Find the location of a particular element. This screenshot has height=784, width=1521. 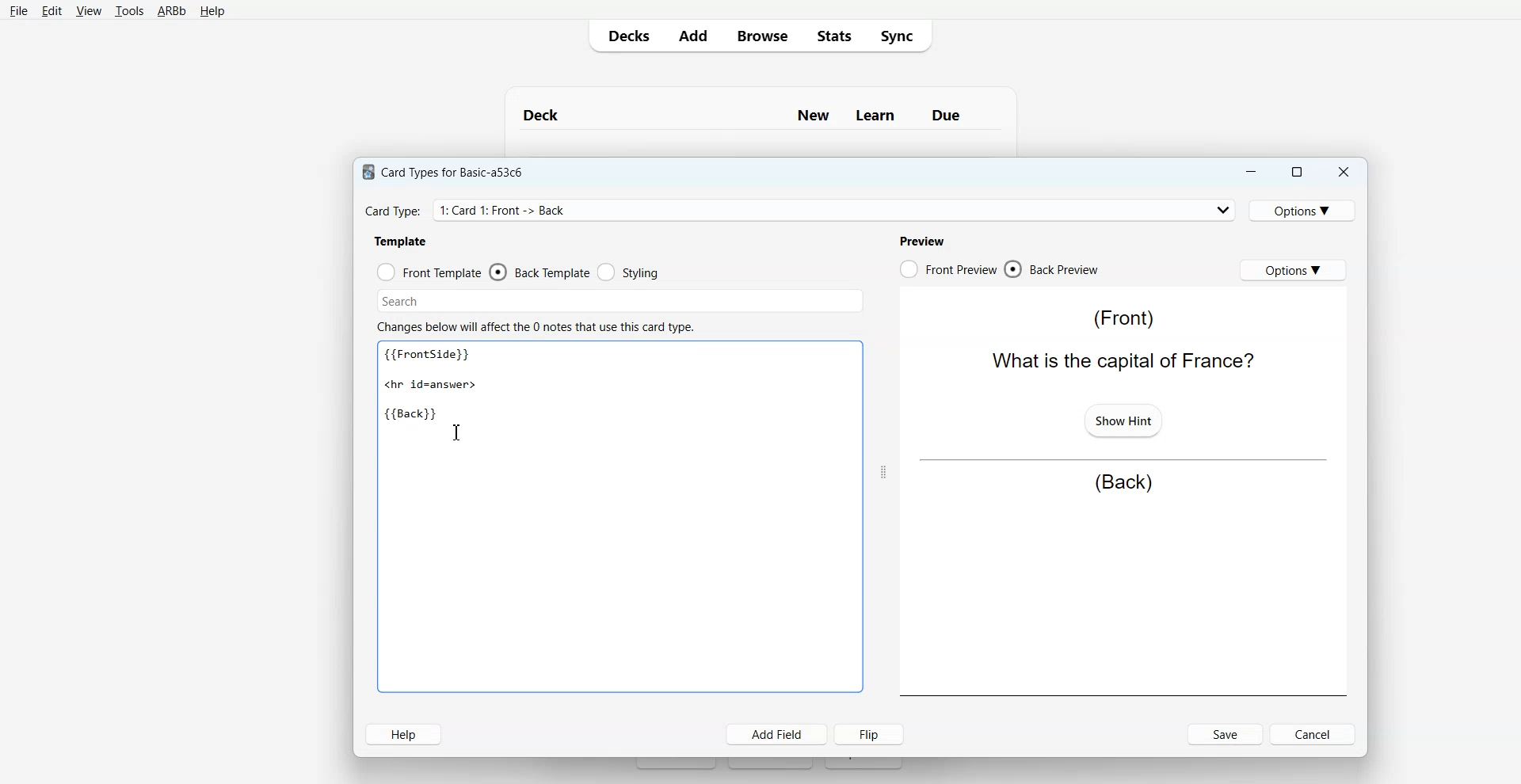

Changes below will affect the 0 notes that use this card type is located at coordinates (542, 327).